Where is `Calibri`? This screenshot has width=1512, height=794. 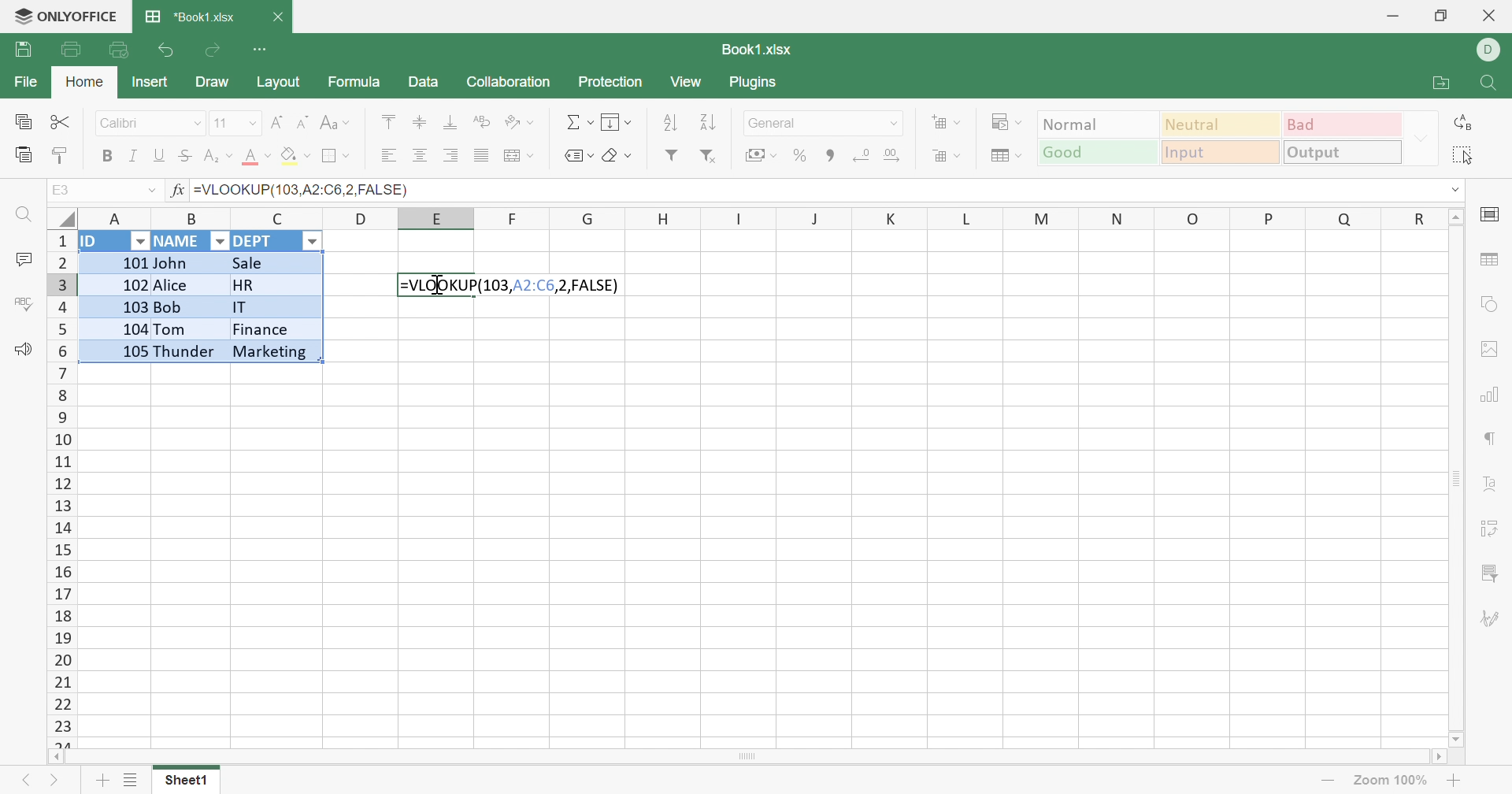 Calibri is located at coordinates (124, 123).